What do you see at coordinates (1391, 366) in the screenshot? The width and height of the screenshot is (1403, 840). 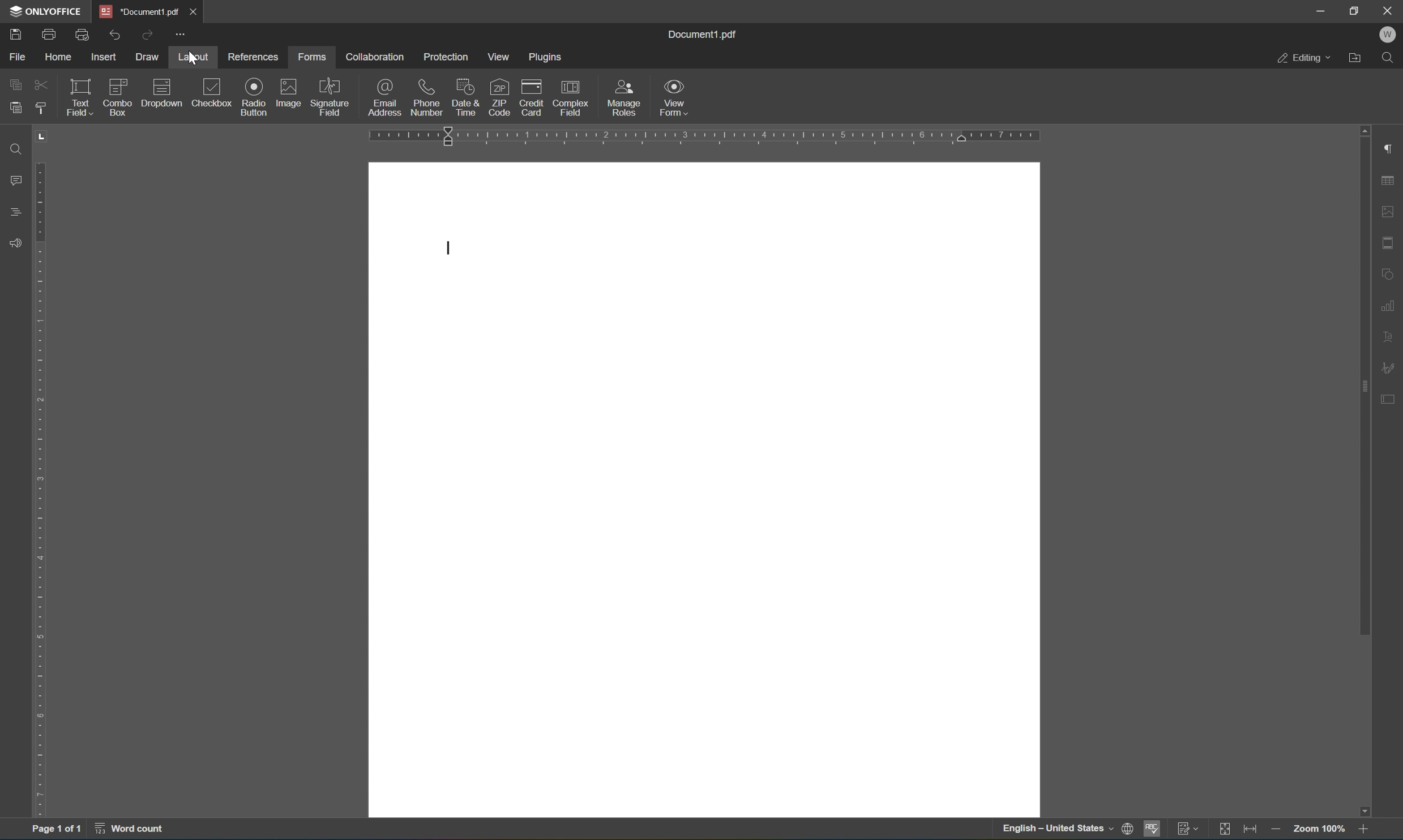 I see `signature` at bounding box center [1391, 366].